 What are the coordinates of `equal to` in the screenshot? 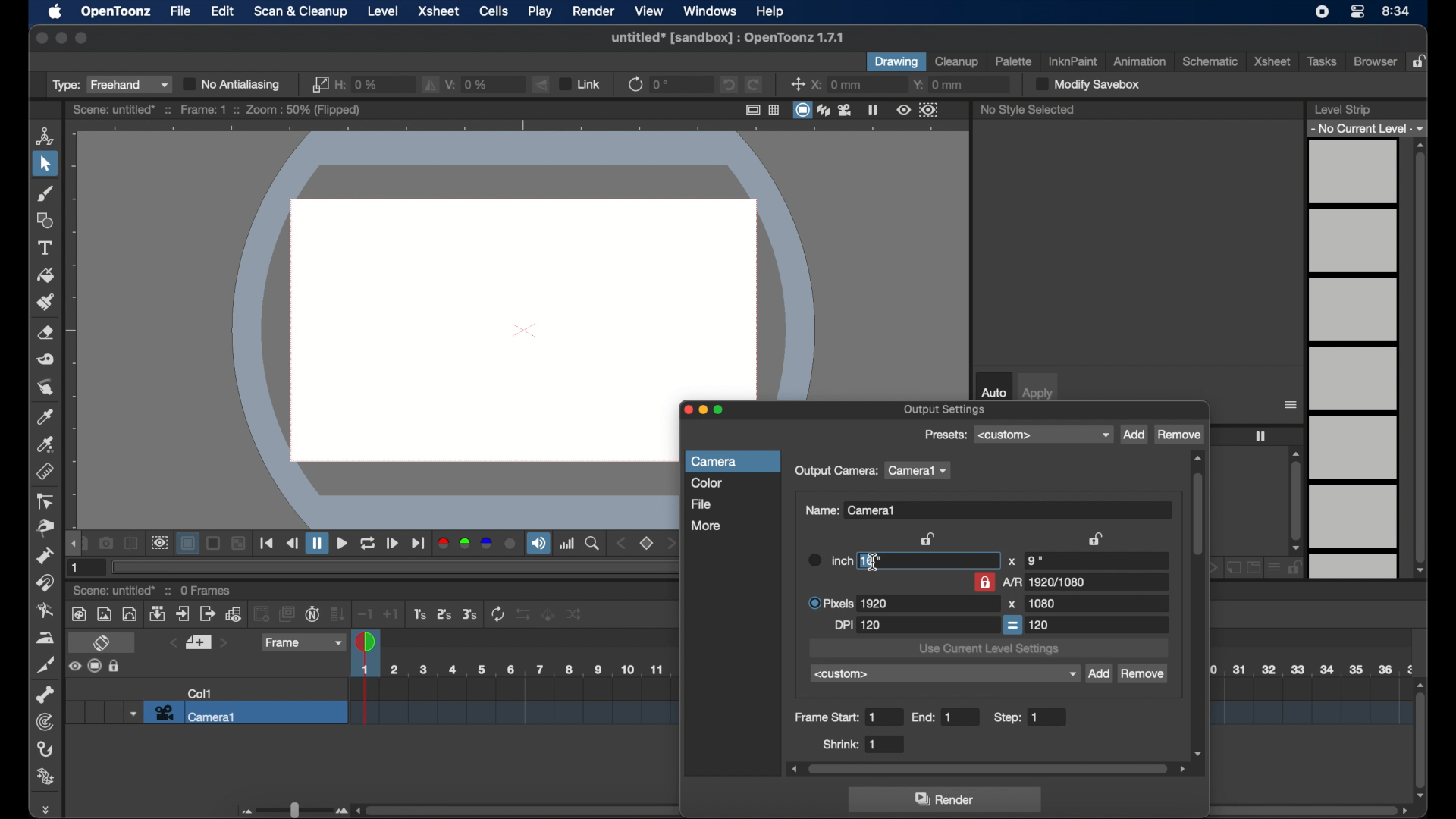 It's located at (1013, 625).